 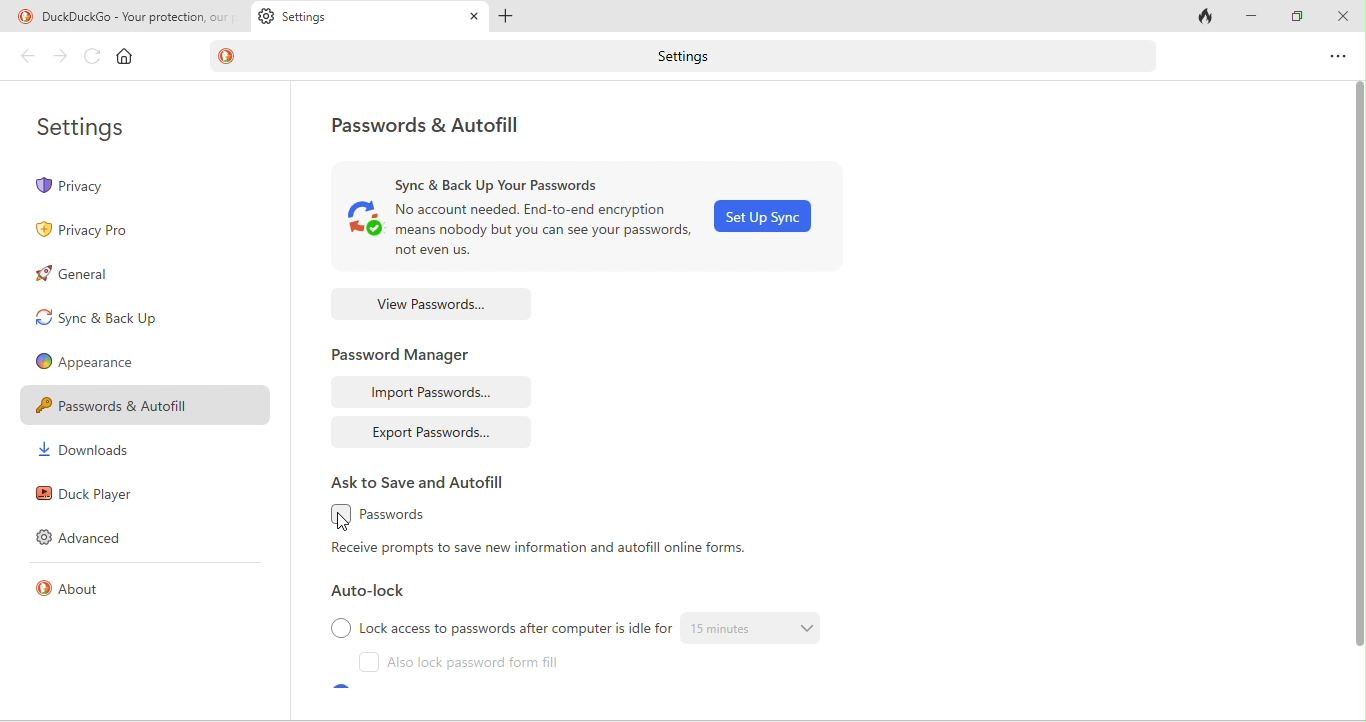 What do you see at coordinates (344, 16) in the screenshot?
I see `settings tab` at bounding box center [344, 16].